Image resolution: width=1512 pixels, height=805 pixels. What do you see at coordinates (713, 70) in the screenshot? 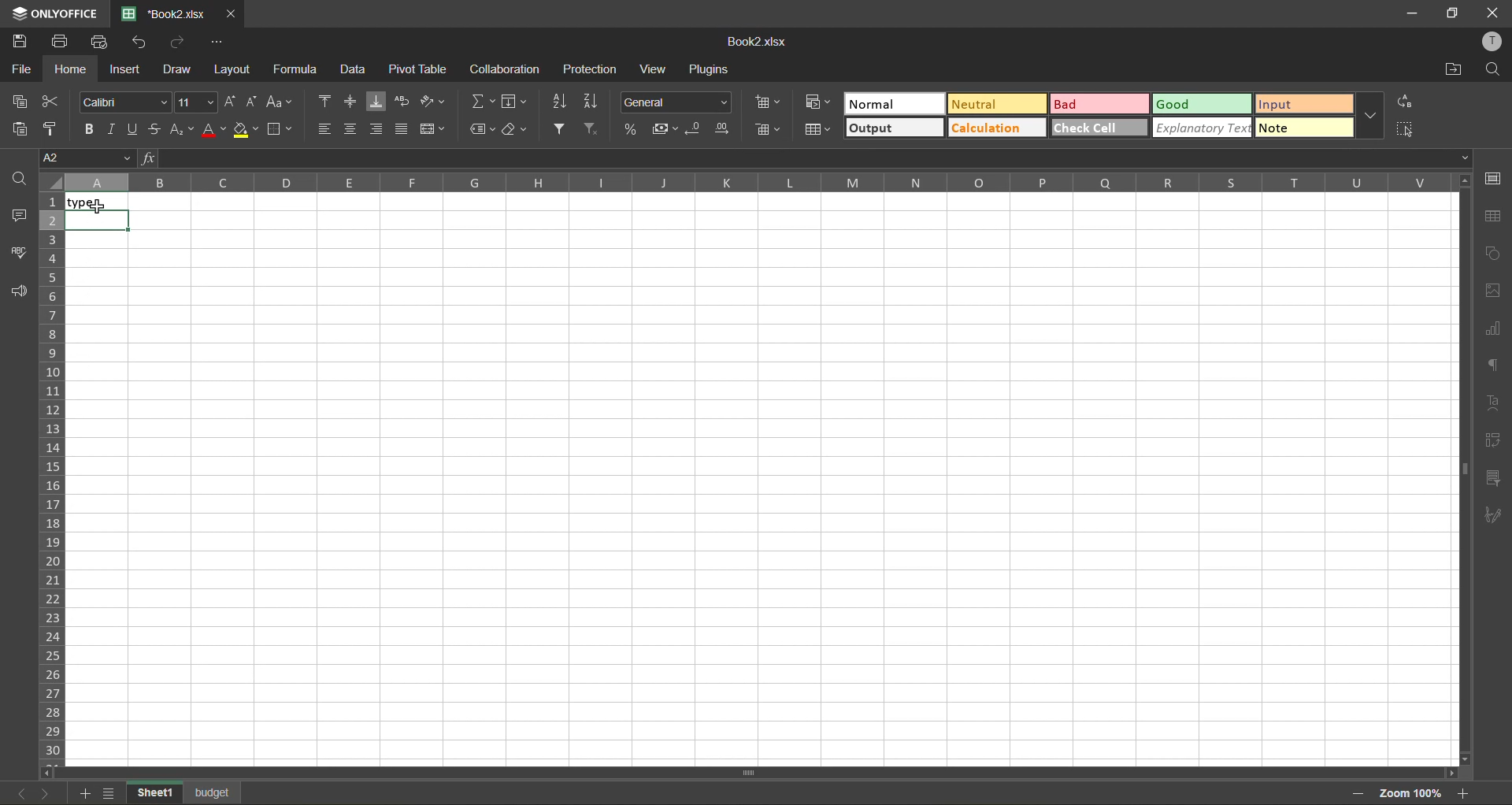
I see `plugins` at bounding box center [713, 70].